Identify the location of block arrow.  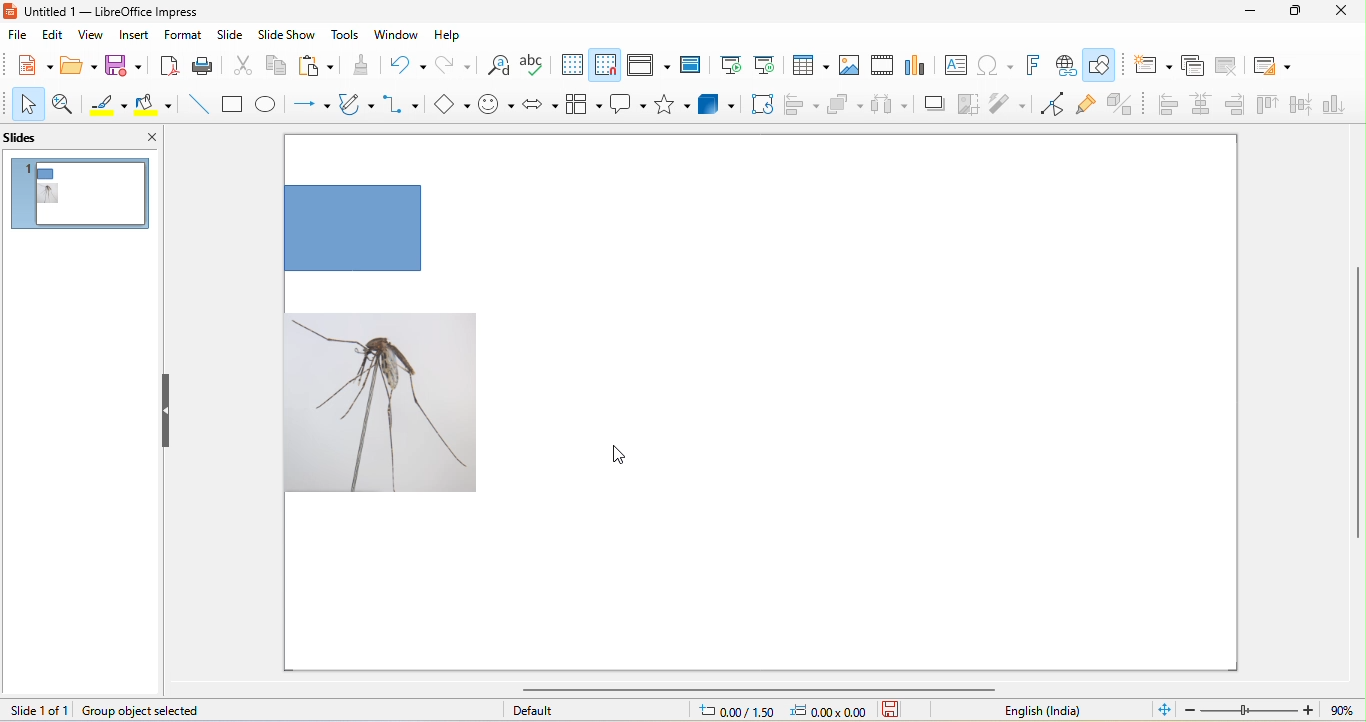
(538, 105).